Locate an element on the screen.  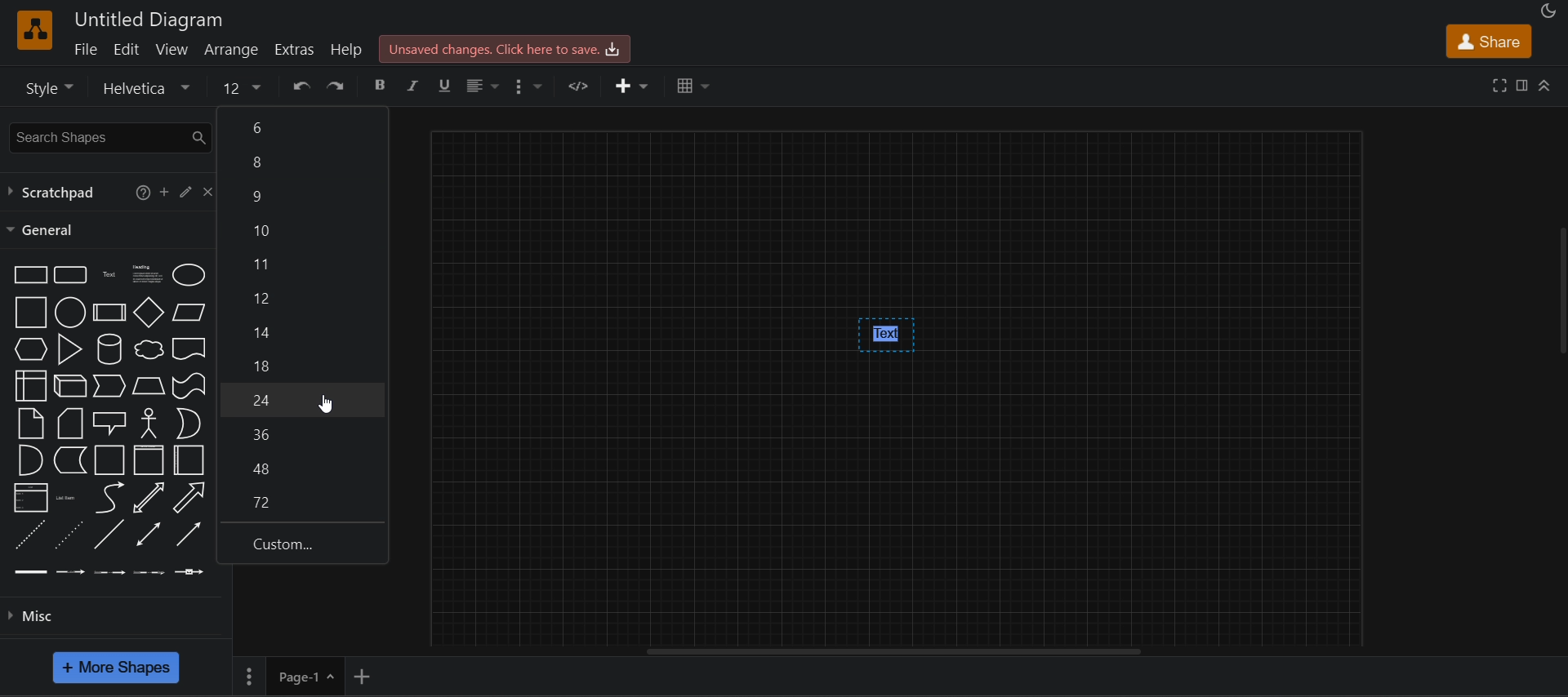
10 is located at coordinates (303, 230).